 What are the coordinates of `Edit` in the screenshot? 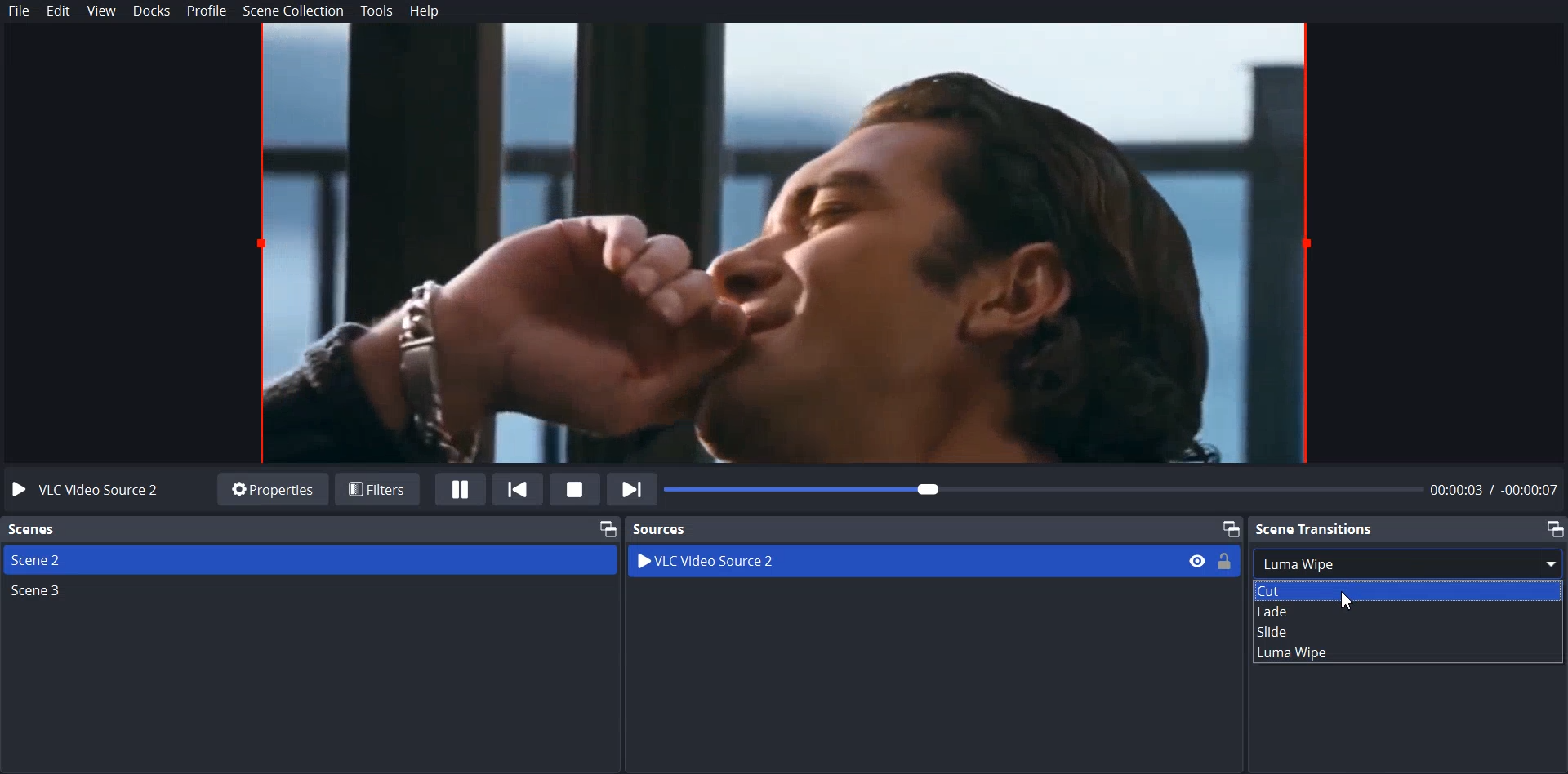 It's located at (59, 11).